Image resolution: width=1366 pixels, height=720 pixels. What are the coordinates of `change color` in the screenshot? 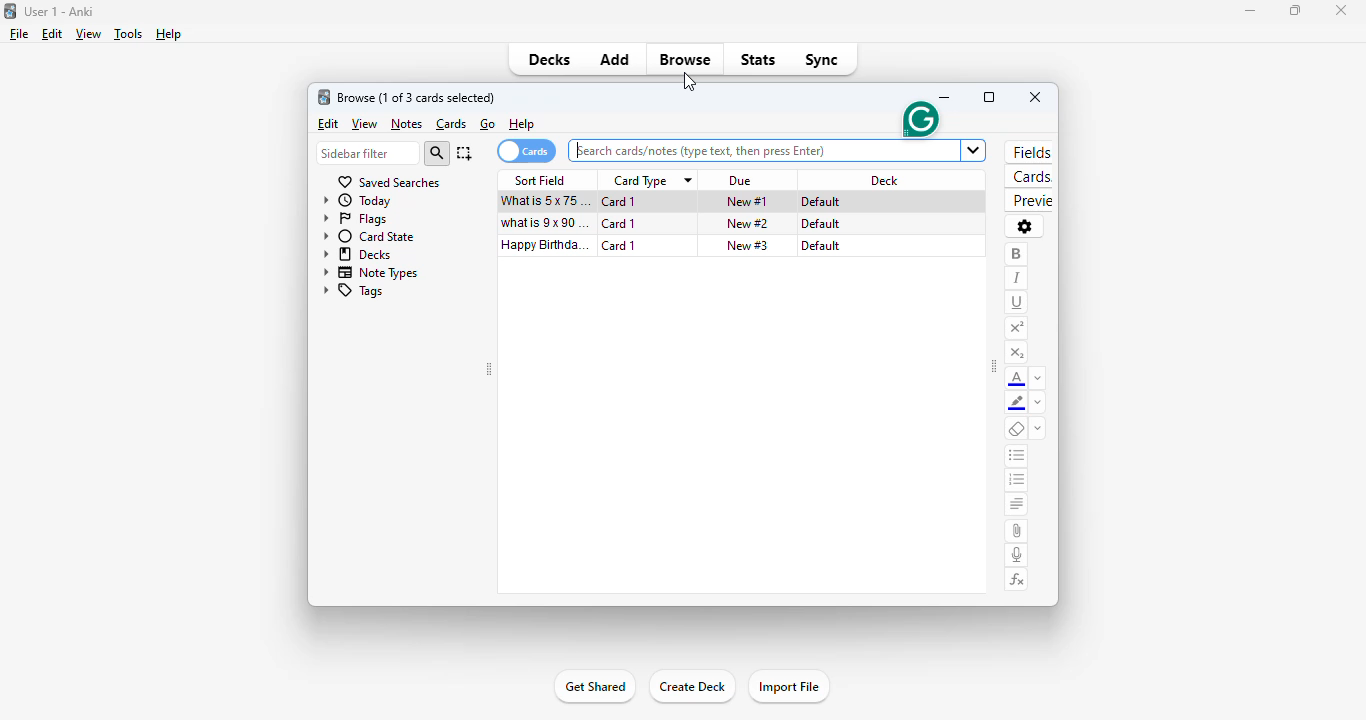 It's located at (1038, 403).